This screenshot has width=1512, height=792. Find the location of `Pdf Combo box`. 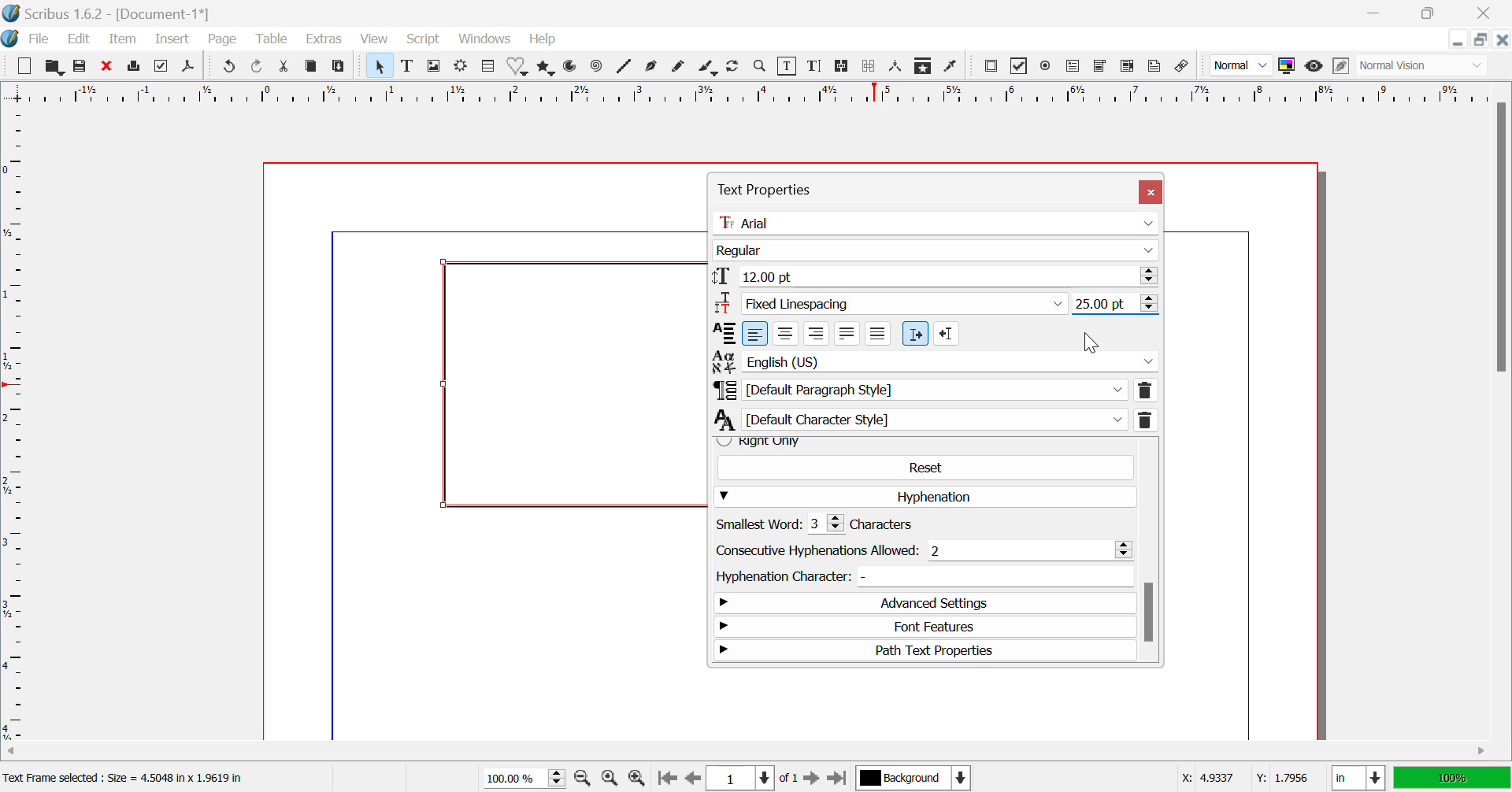

Pdf Combo box is located at coordinates (1101, 68).